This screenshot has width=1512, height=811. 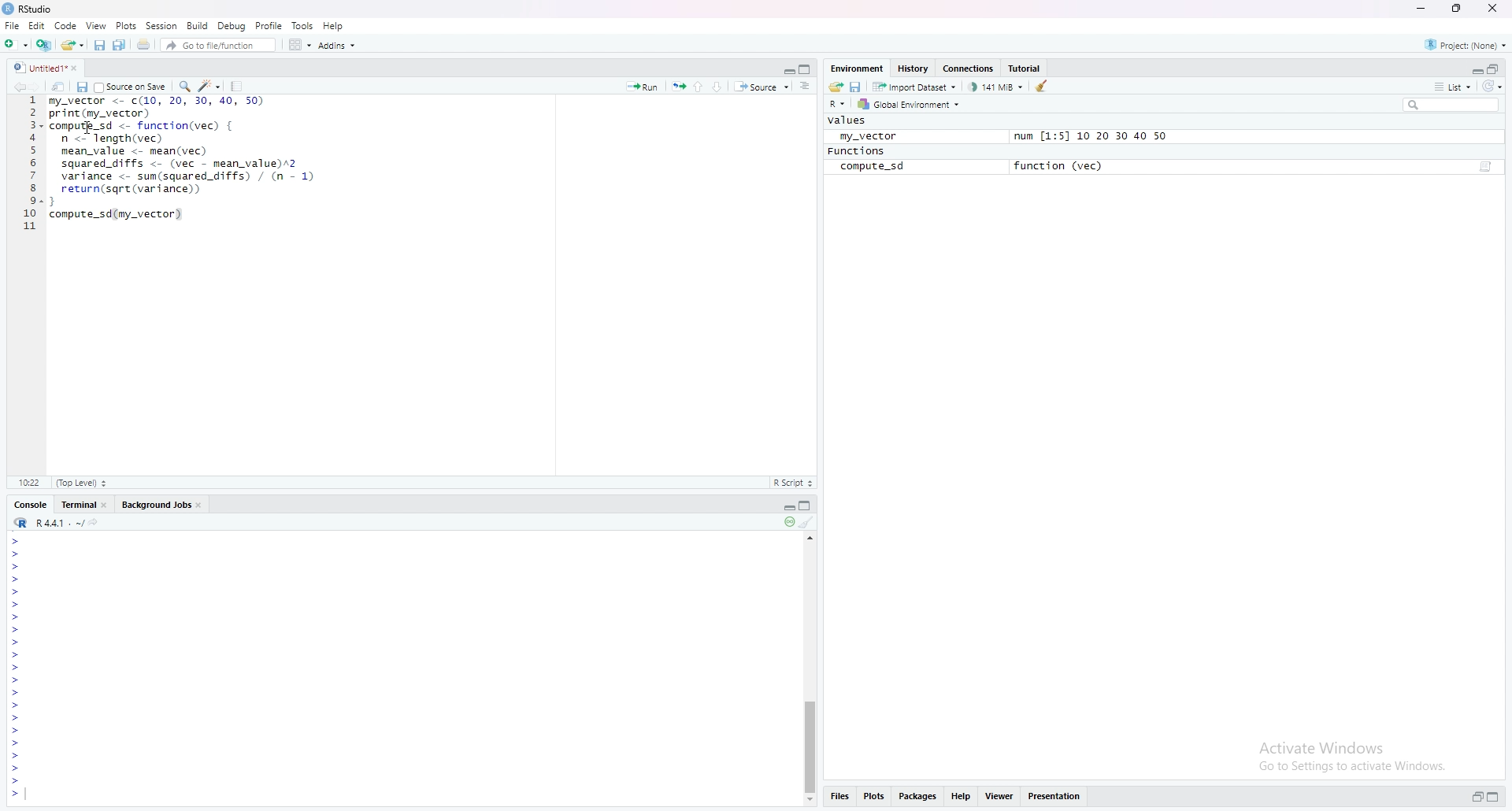 What do you see at coordinates (49, 69) in the screenshot?
I see `Untitled1*` at bounding box center [49, 69].